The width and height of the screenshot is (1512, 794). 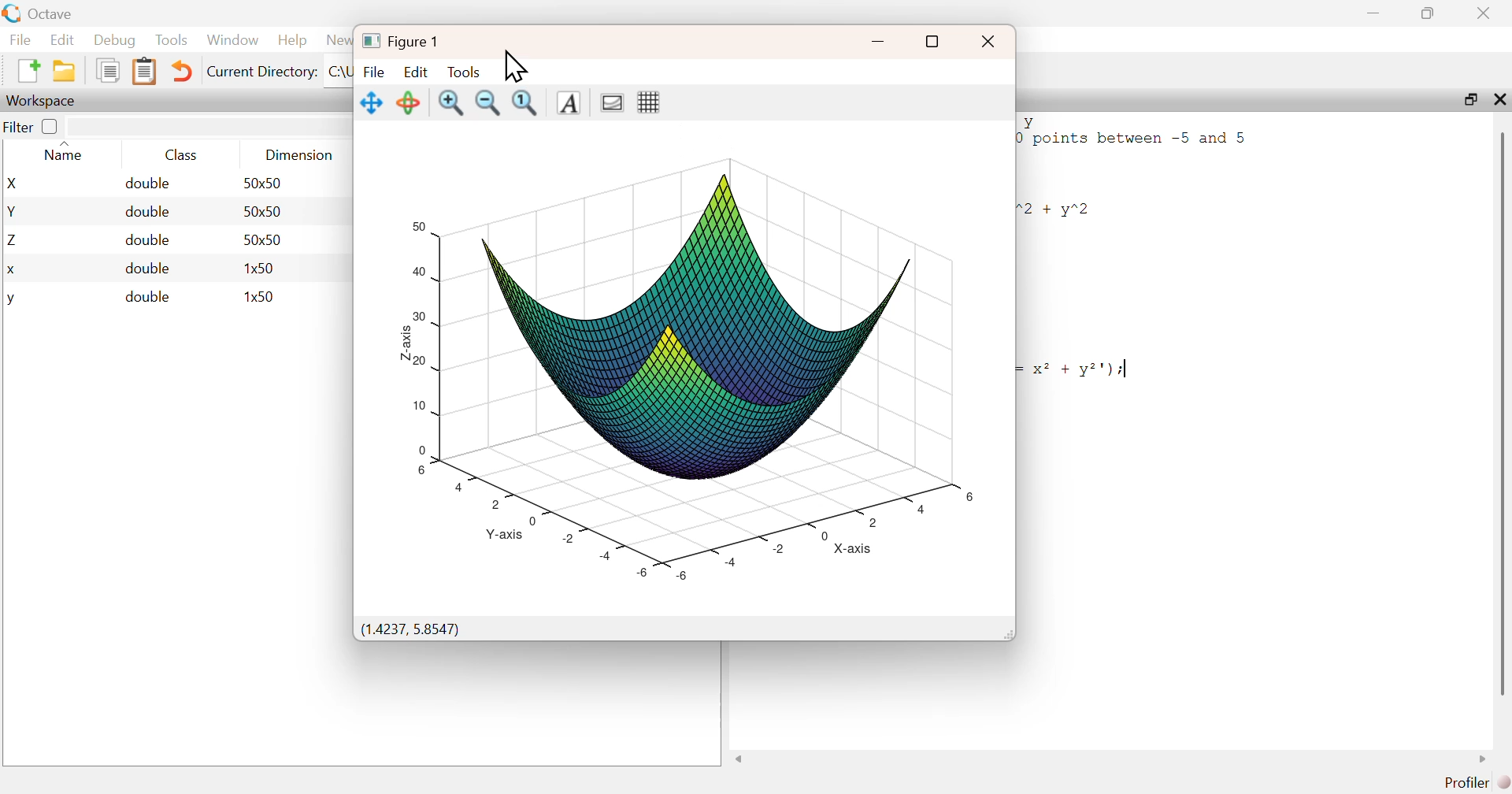 What do you see at coordinates (14, 241) in the screenshot?
I see `Z` at bounding box center [14, 241].